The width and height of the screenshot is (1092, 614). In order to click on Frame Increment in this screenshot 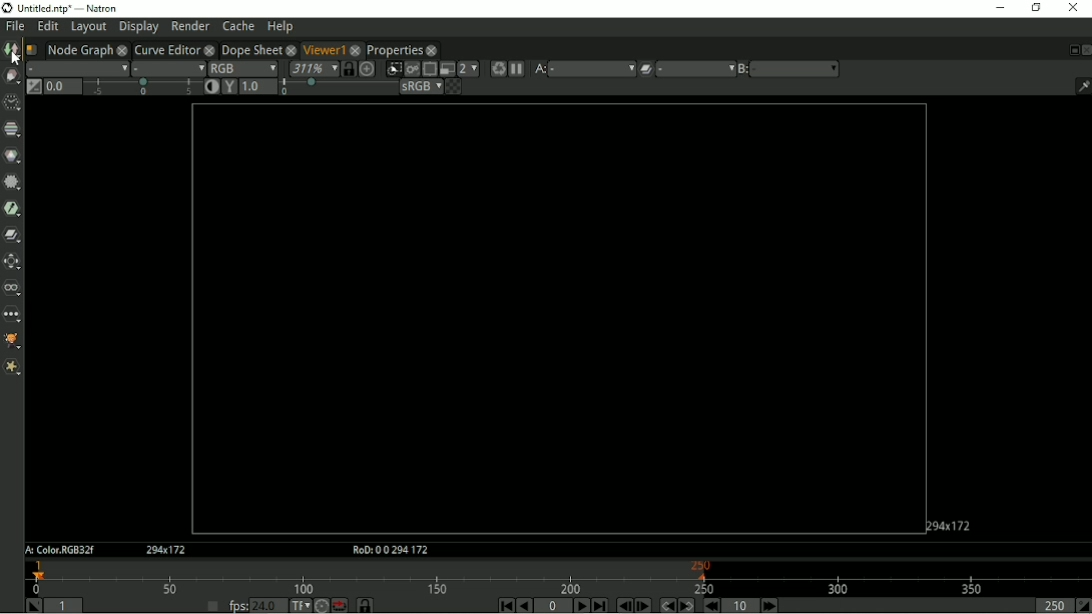, I will do `click(738, 605)`.